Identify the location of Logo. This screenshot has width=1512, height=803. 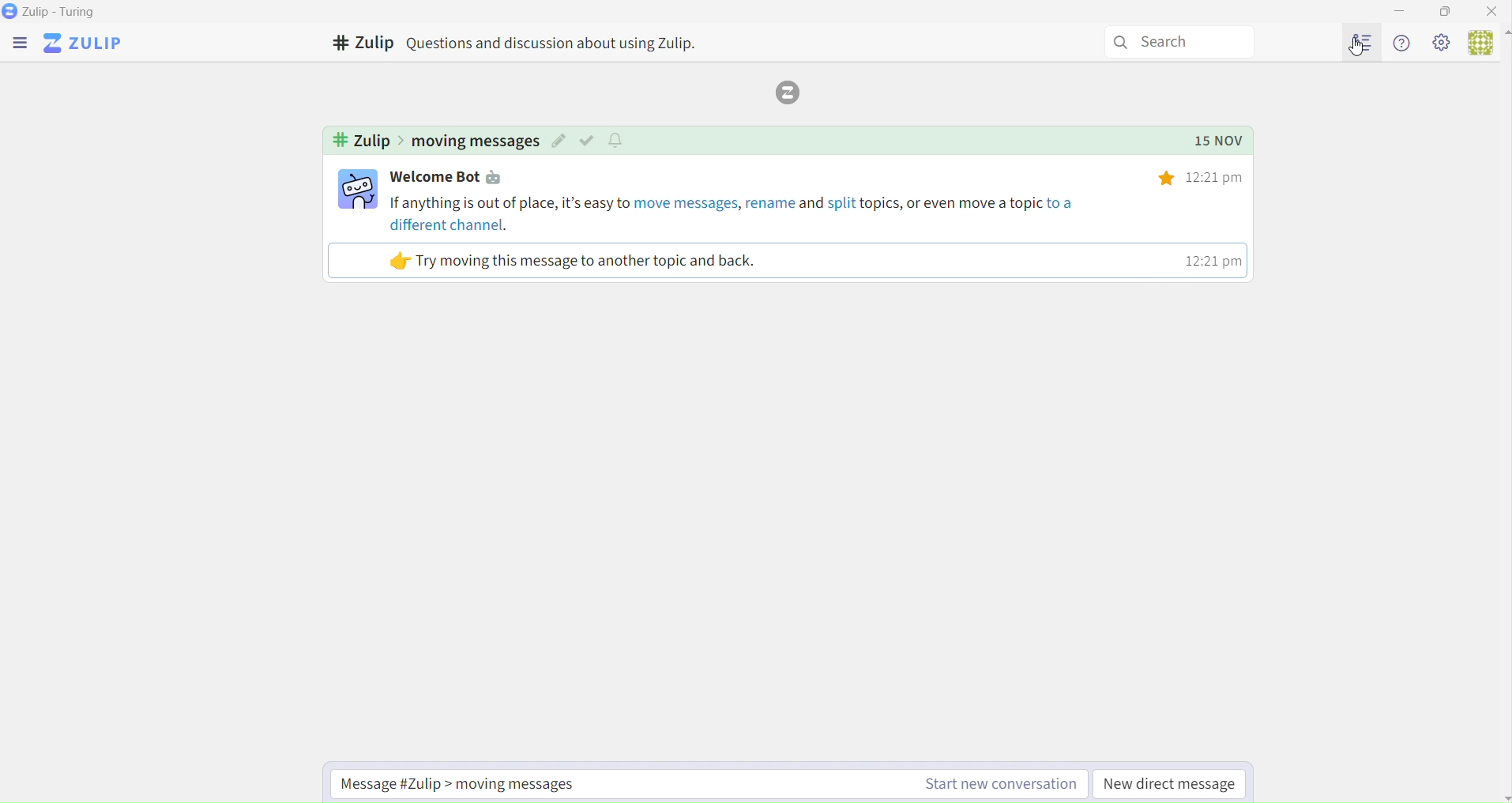
(784, 93).